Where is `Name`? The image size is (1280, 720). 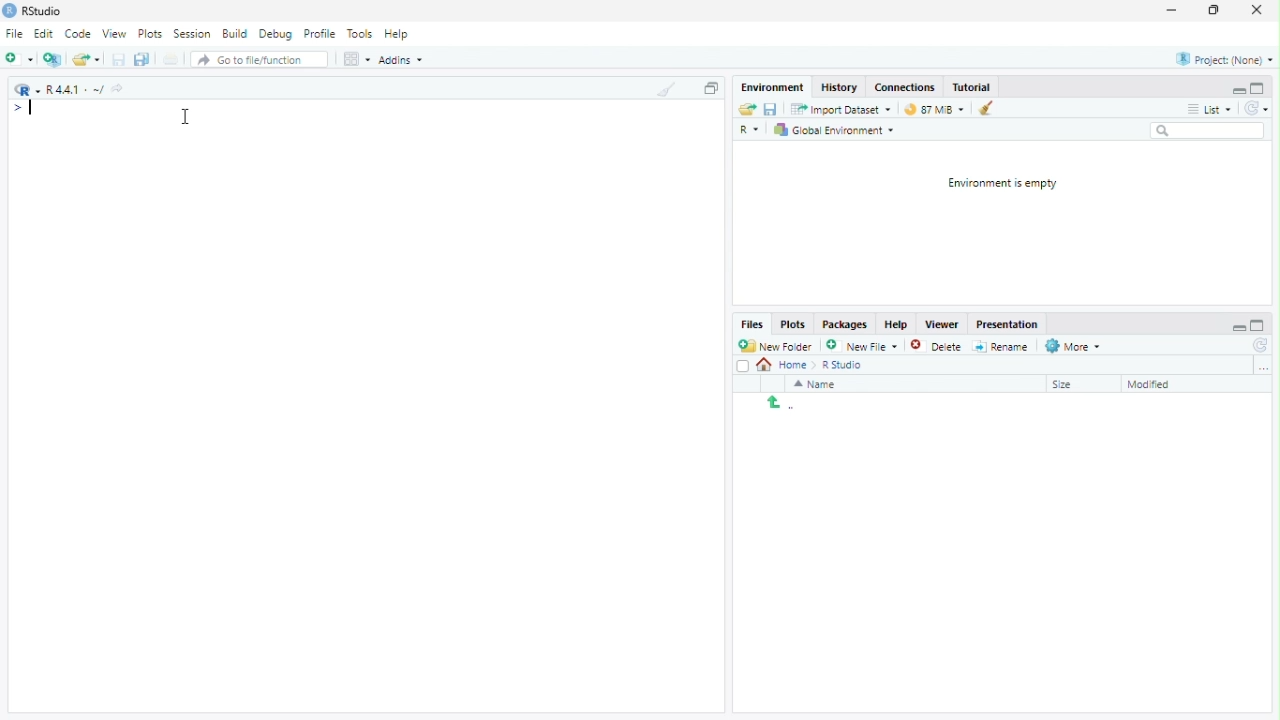 Name is located at coordinates (817, 384).